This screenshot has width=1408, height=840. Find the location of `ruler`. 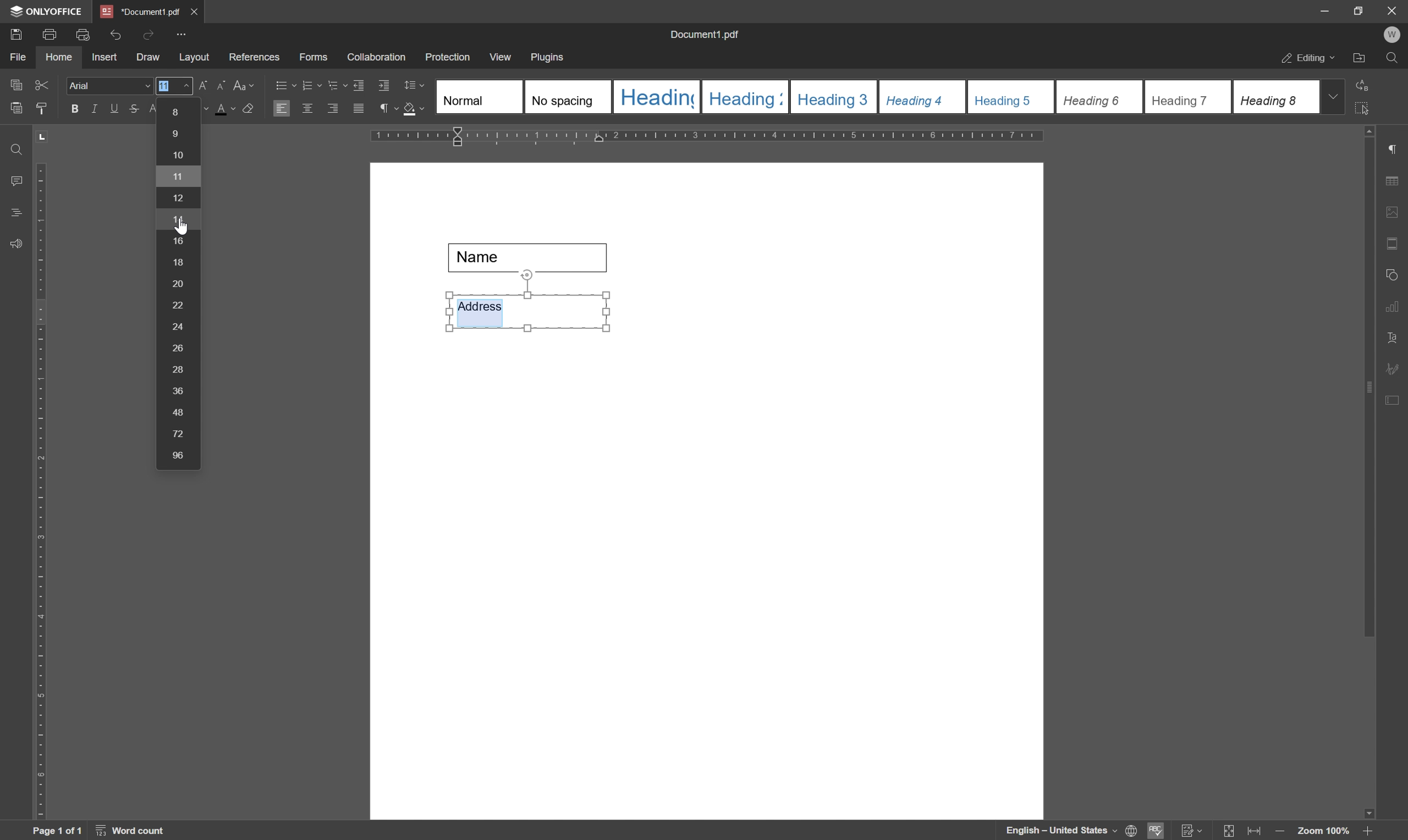

ruler is located at coordinates (40, 488).